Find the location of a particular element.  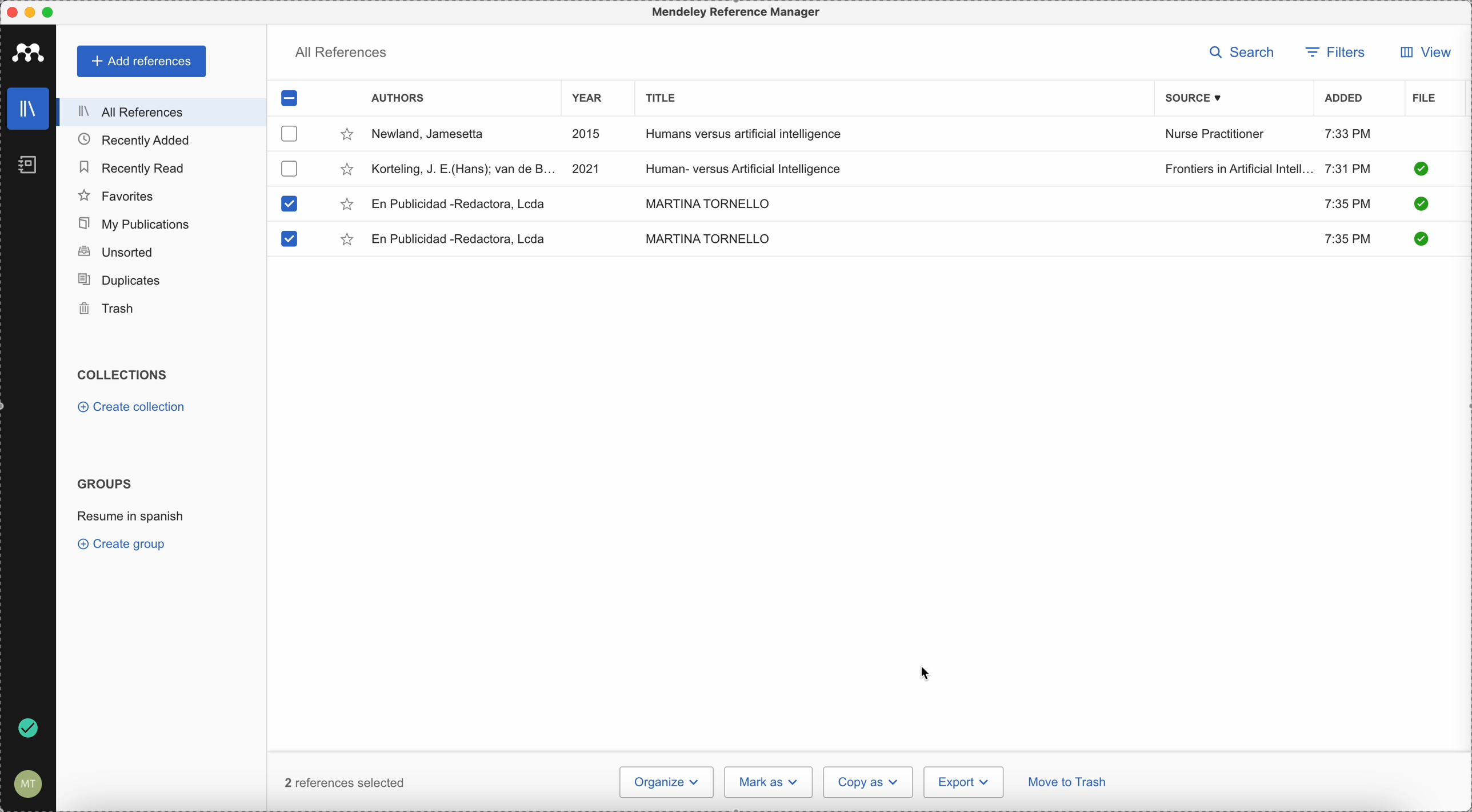

source is located at coordinates (1202, 98).